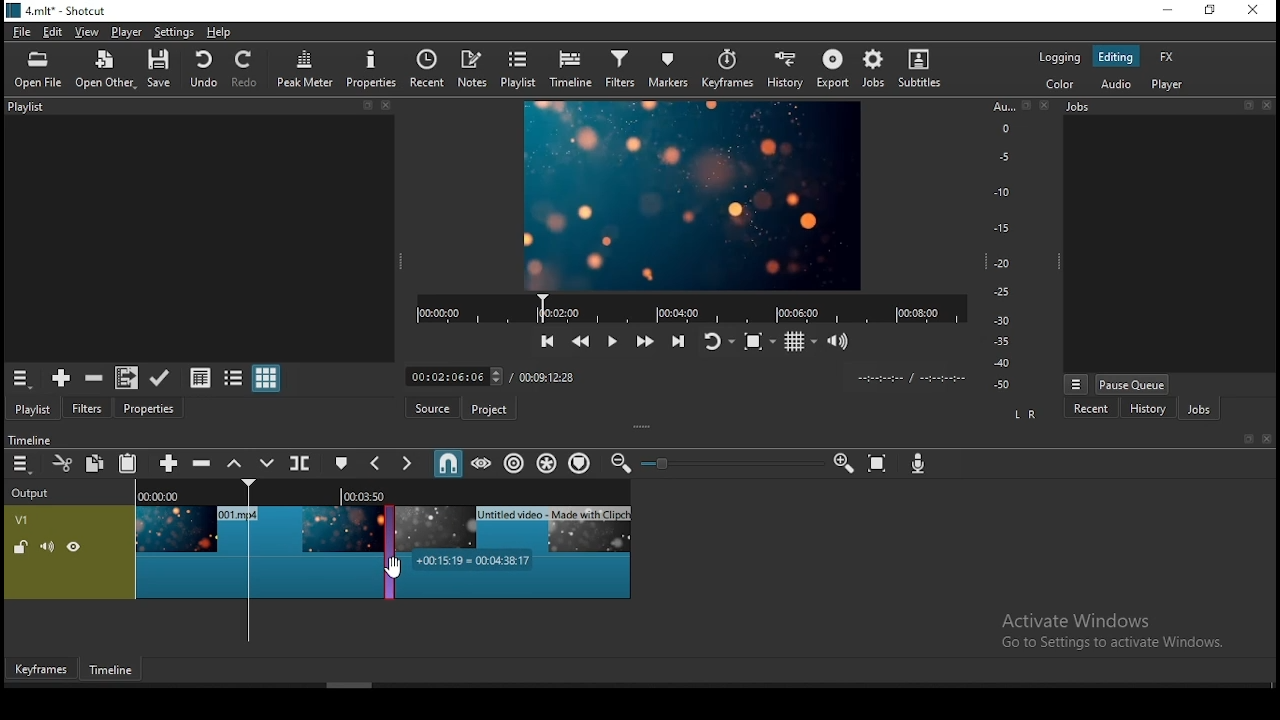 This screenshot has height=720, width=1280. Describe the element at coordinates (579, 339) in the screenshot. I see `play quickly backwards` at that location.